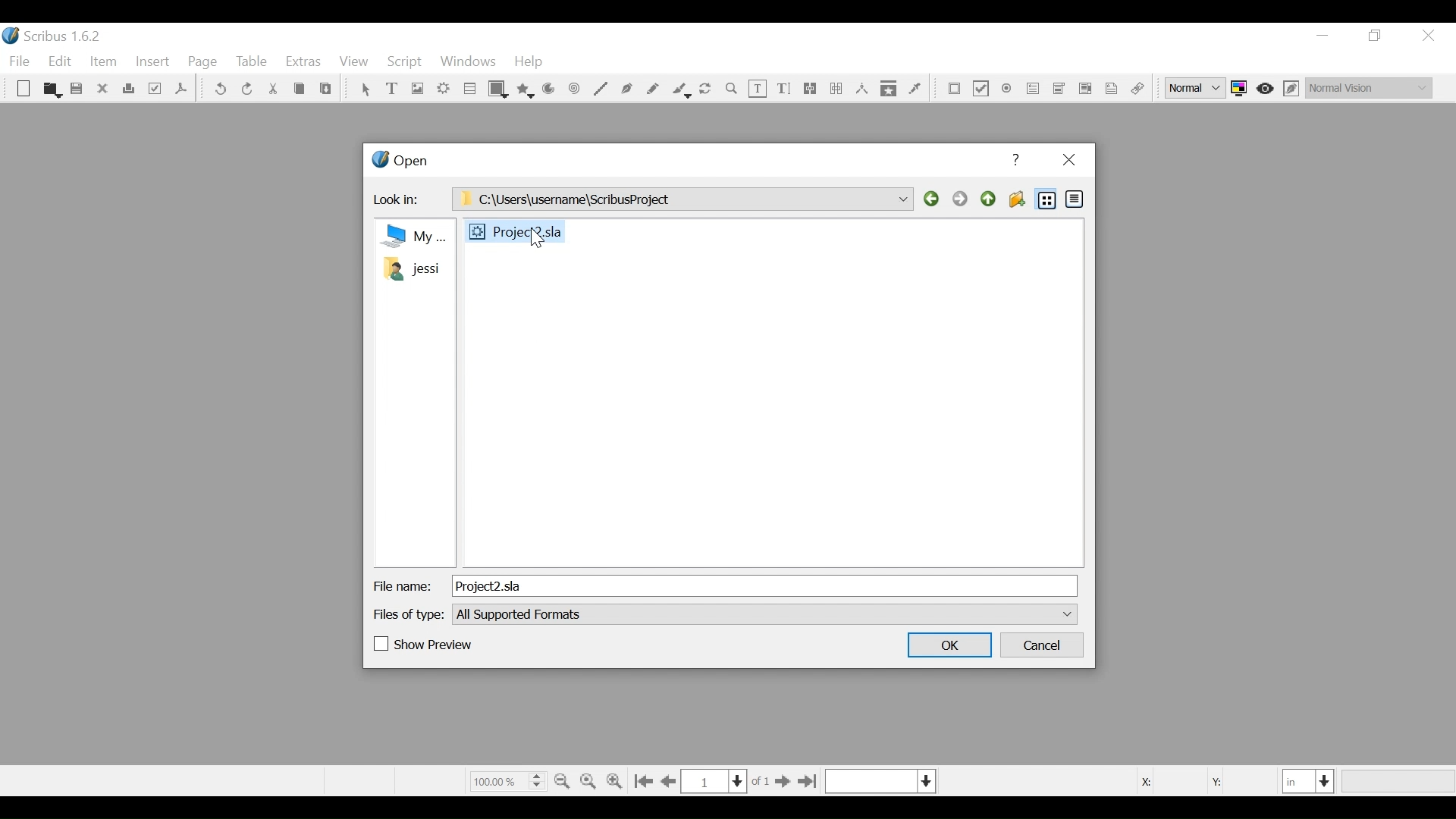 This screenshot has height=819, width=1456. What do you see at coordinates (1135, 89) in the screenshot?
I see `Link Annotations` at bounding box center [1135, 89].